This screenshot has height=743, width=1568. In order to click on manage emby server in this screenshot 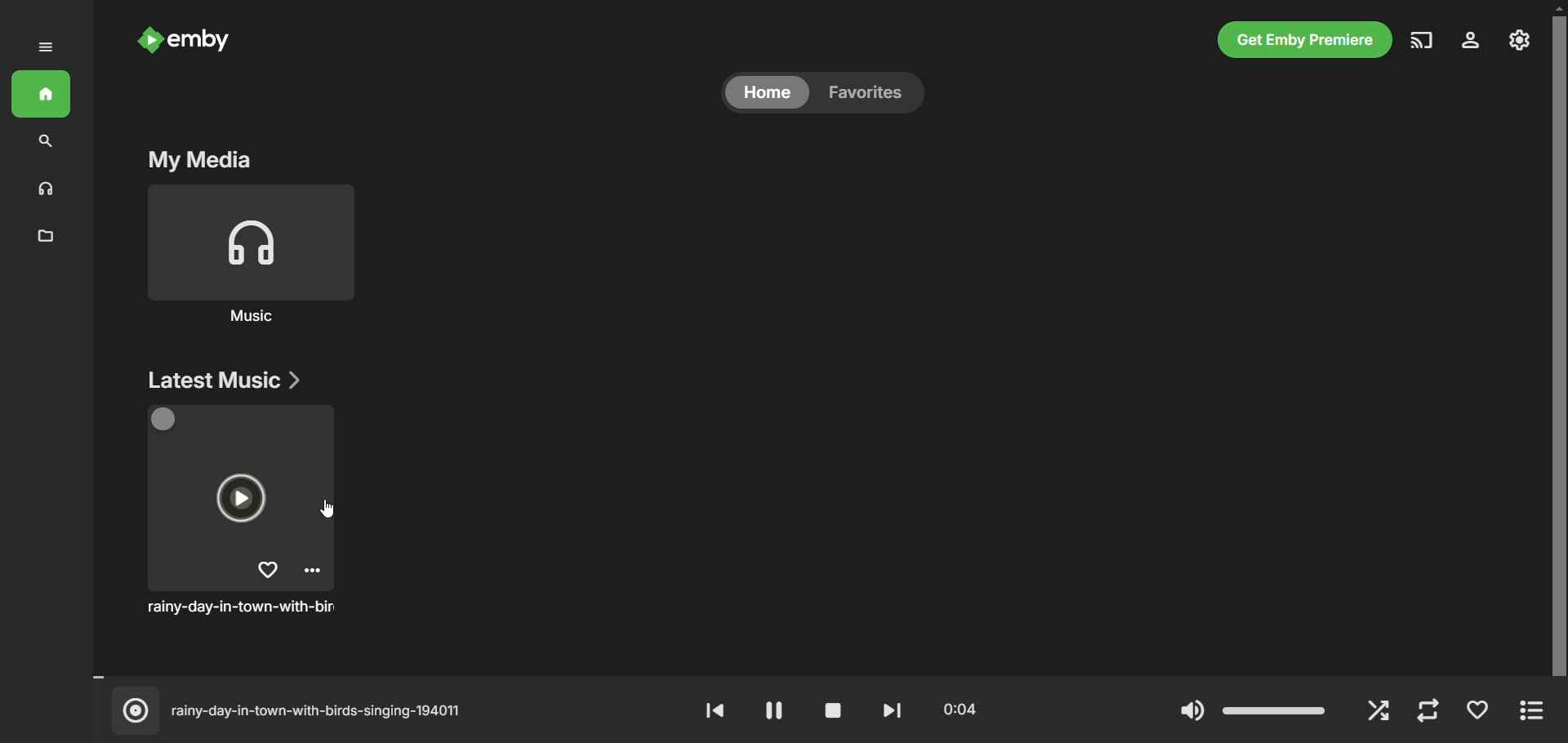, I will do `click(1521, 42)`.